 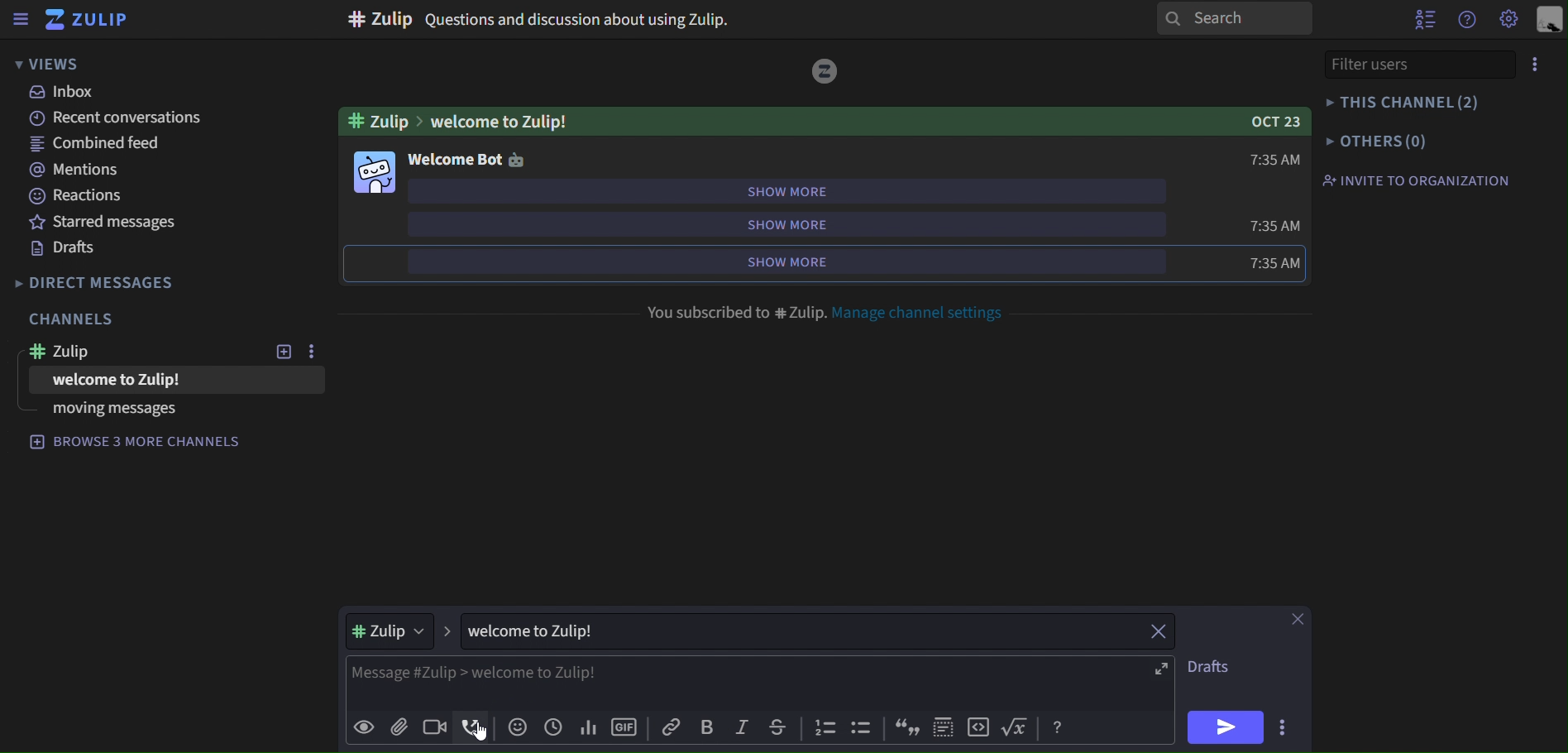 What do you see at coordinates (1298, 617) in the screenshot?
I see `close` at bounding box center [1298, 617].